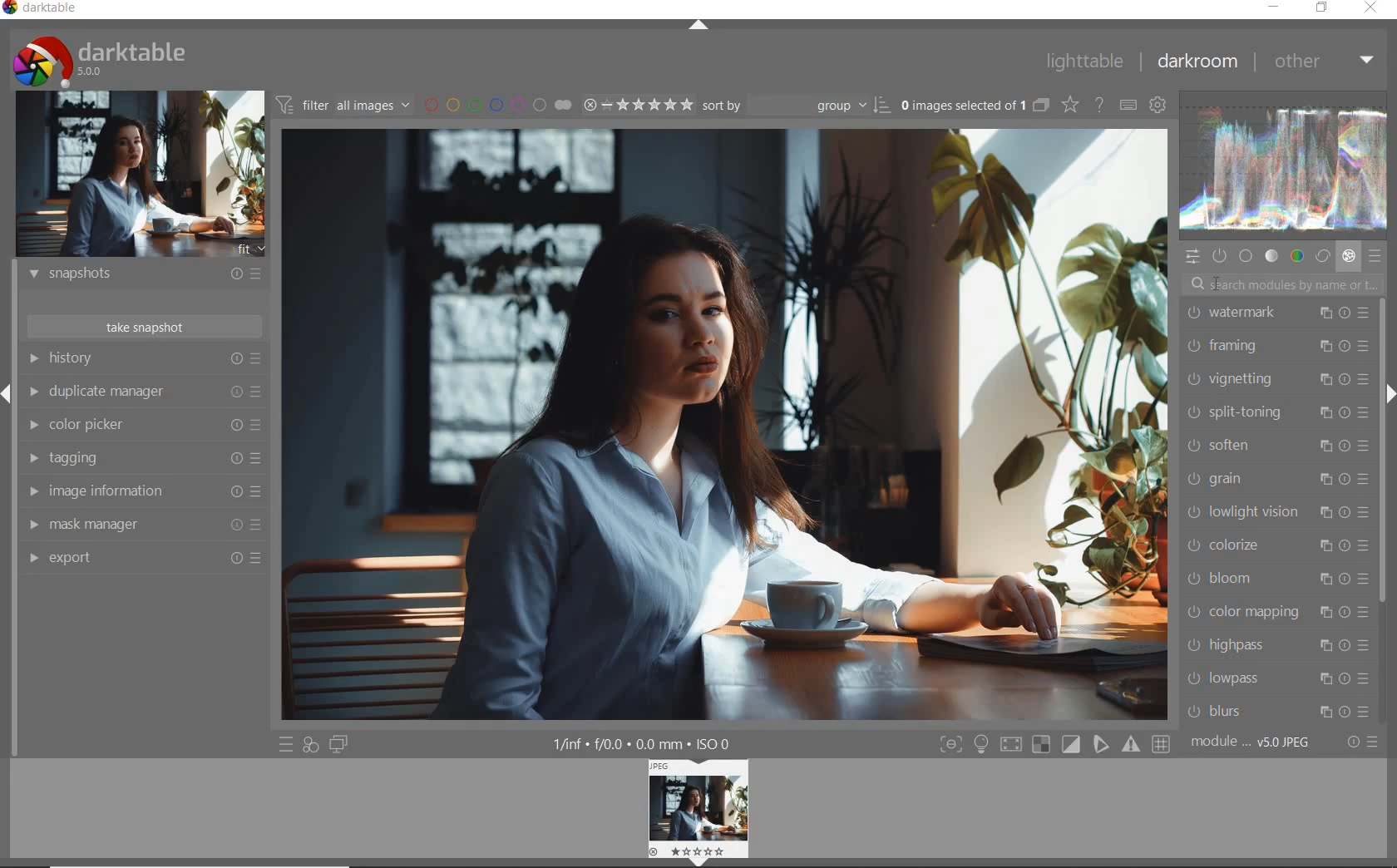 The image size is (1397, 868). I want to click on correct, so click(1321, 256).